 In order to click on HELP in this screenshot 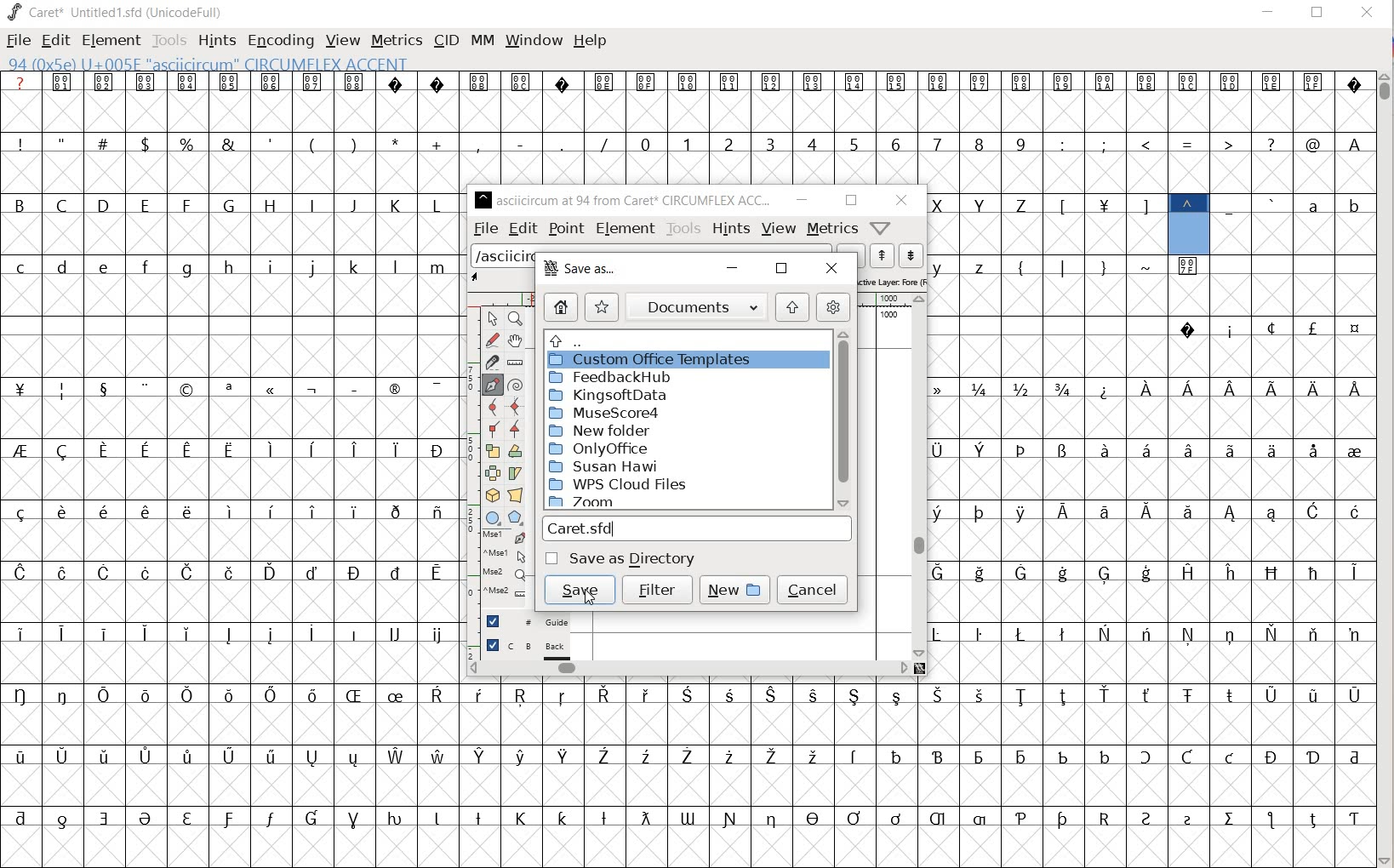, I will do `click(591, 40)`.